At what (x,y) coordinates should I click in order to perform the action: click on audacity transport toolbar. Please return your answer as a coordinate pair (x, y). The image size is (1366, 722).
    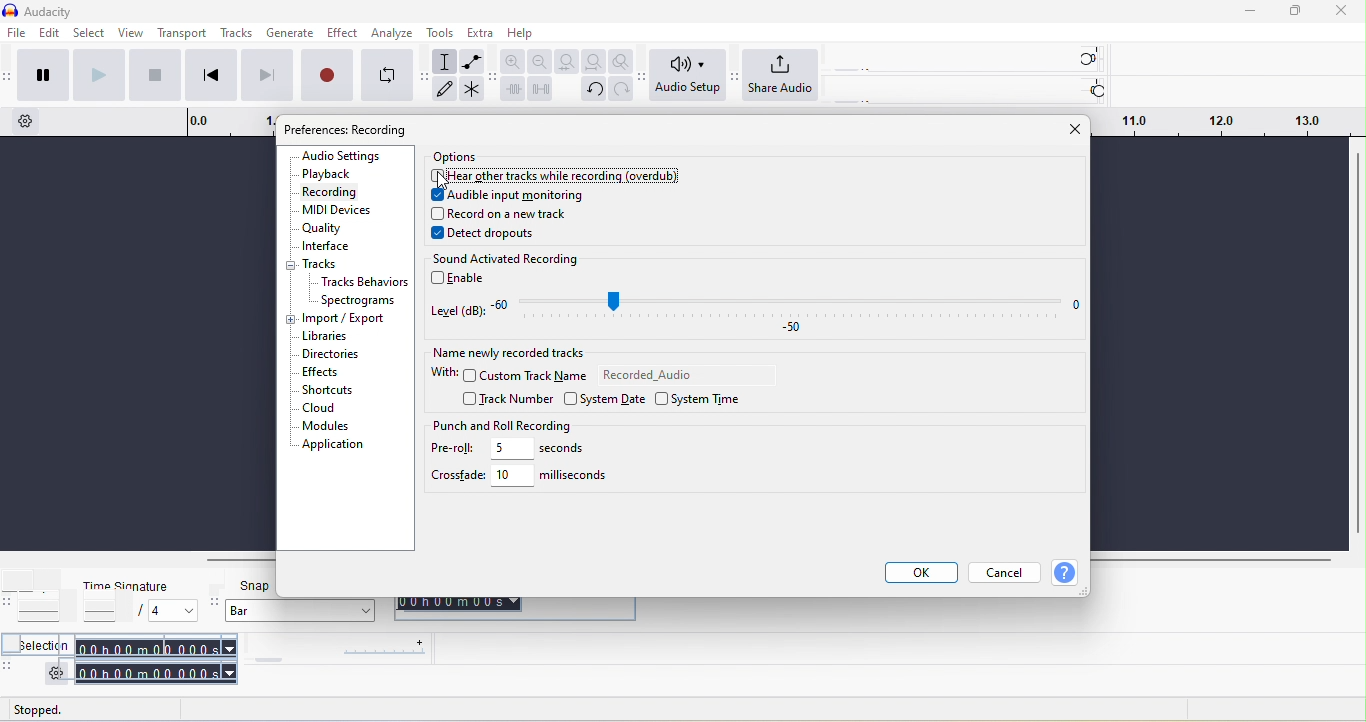
    Looking at the image, I should click on (9, 75).